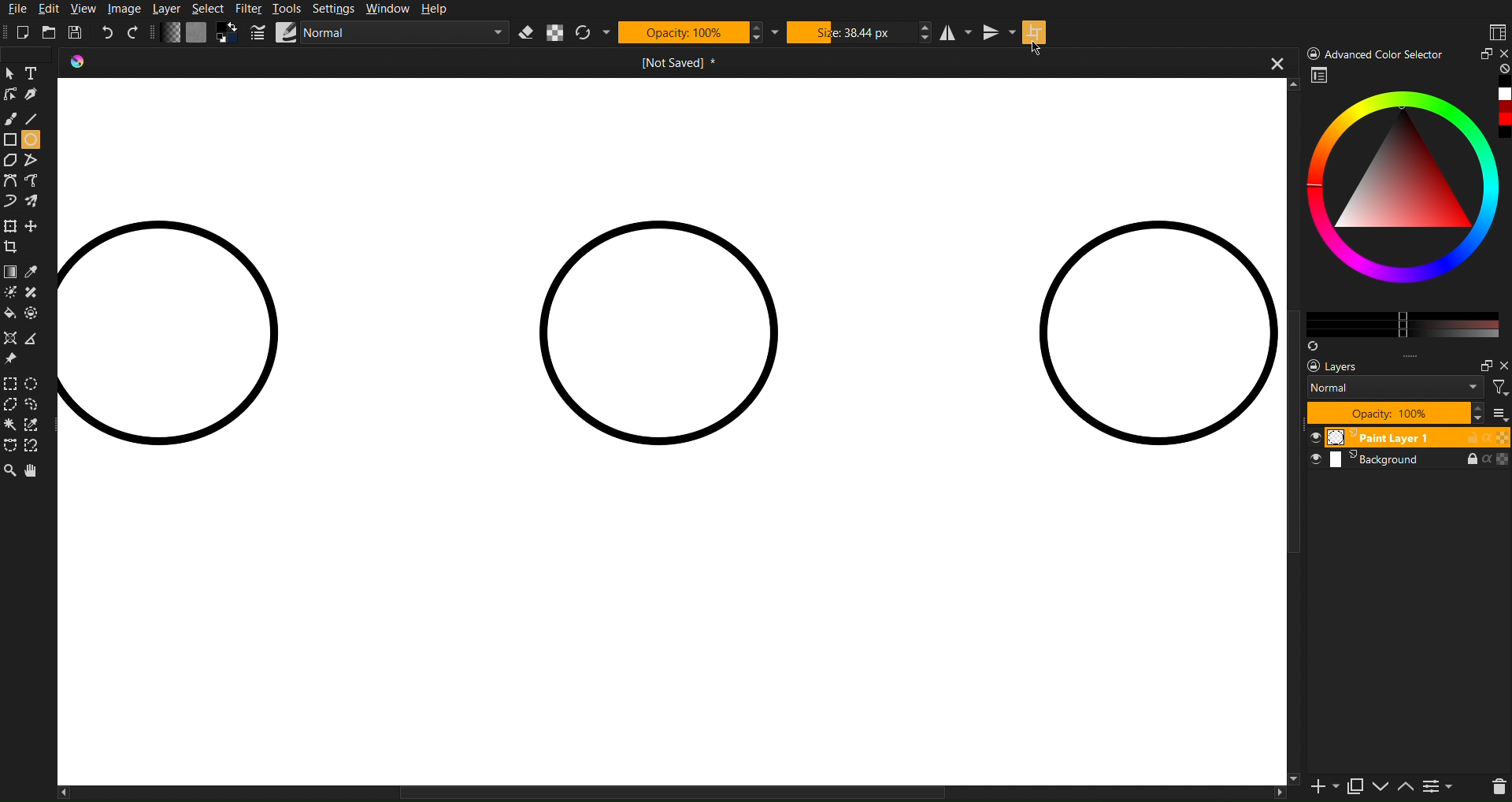  What do you see at coordinates (1496, 32) in the screenshot?
I see `Workspaces` at bounding box center [1496, 32].